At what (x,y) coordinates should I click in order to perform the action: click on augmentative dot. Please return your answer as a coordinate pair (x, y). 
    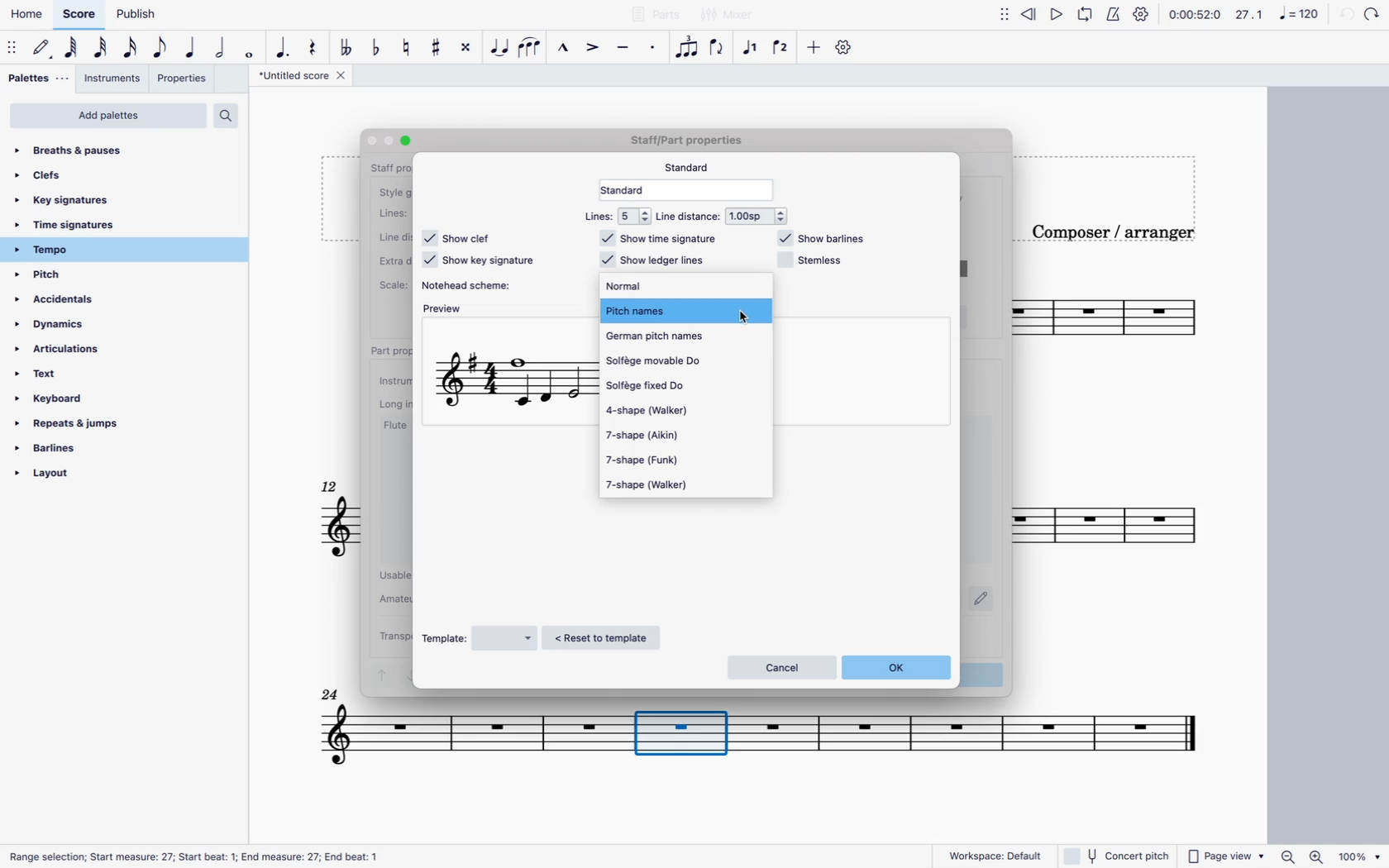
    Looking at the image, I should click on (284, 48).